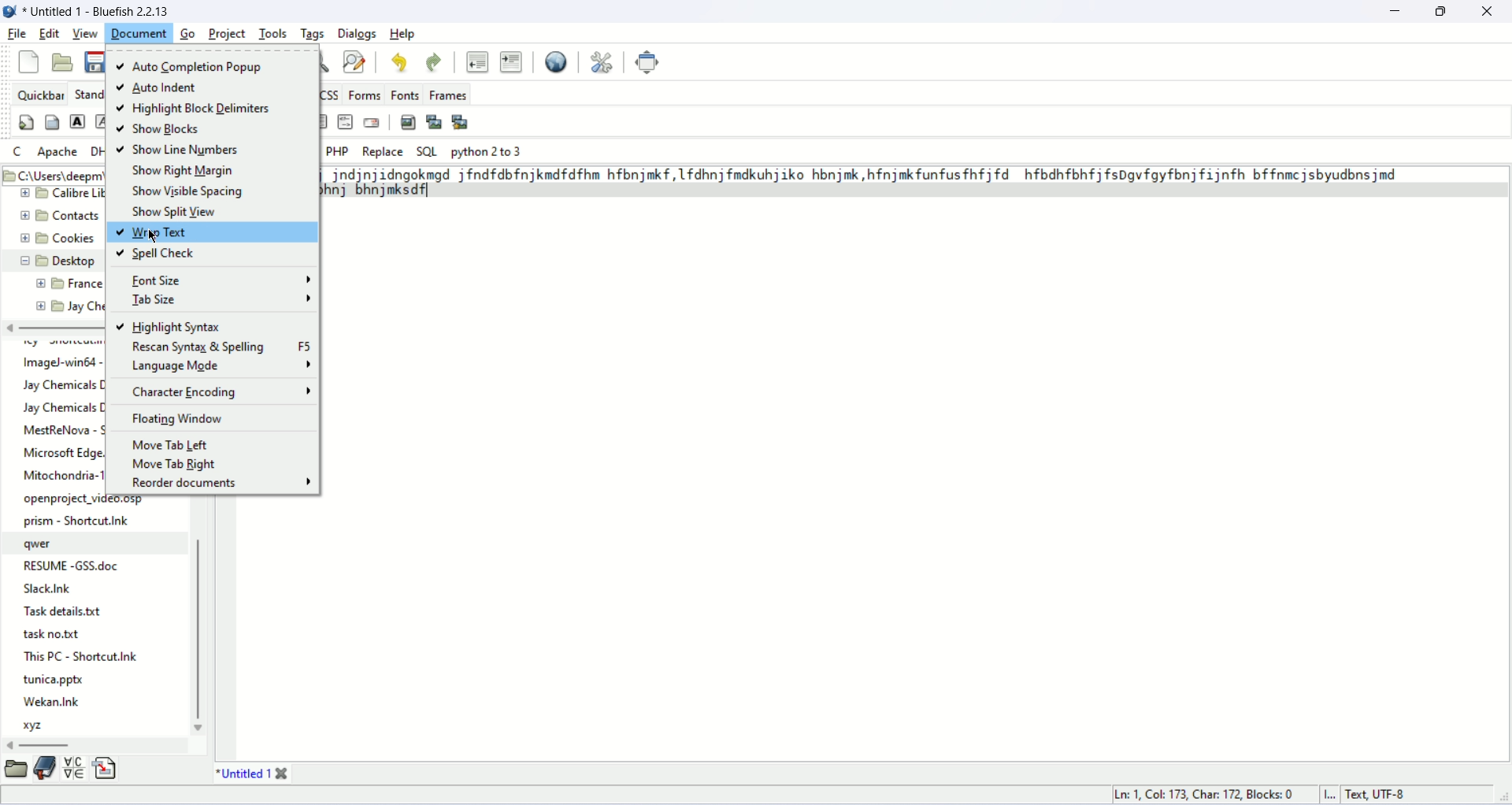 Image resolution: width=1512 pixels, height=805 pixels. What do you see at coordinates (41, 744) in the screenshot?
I see `horizontal scroll bar` at bounding box center [41, 744].